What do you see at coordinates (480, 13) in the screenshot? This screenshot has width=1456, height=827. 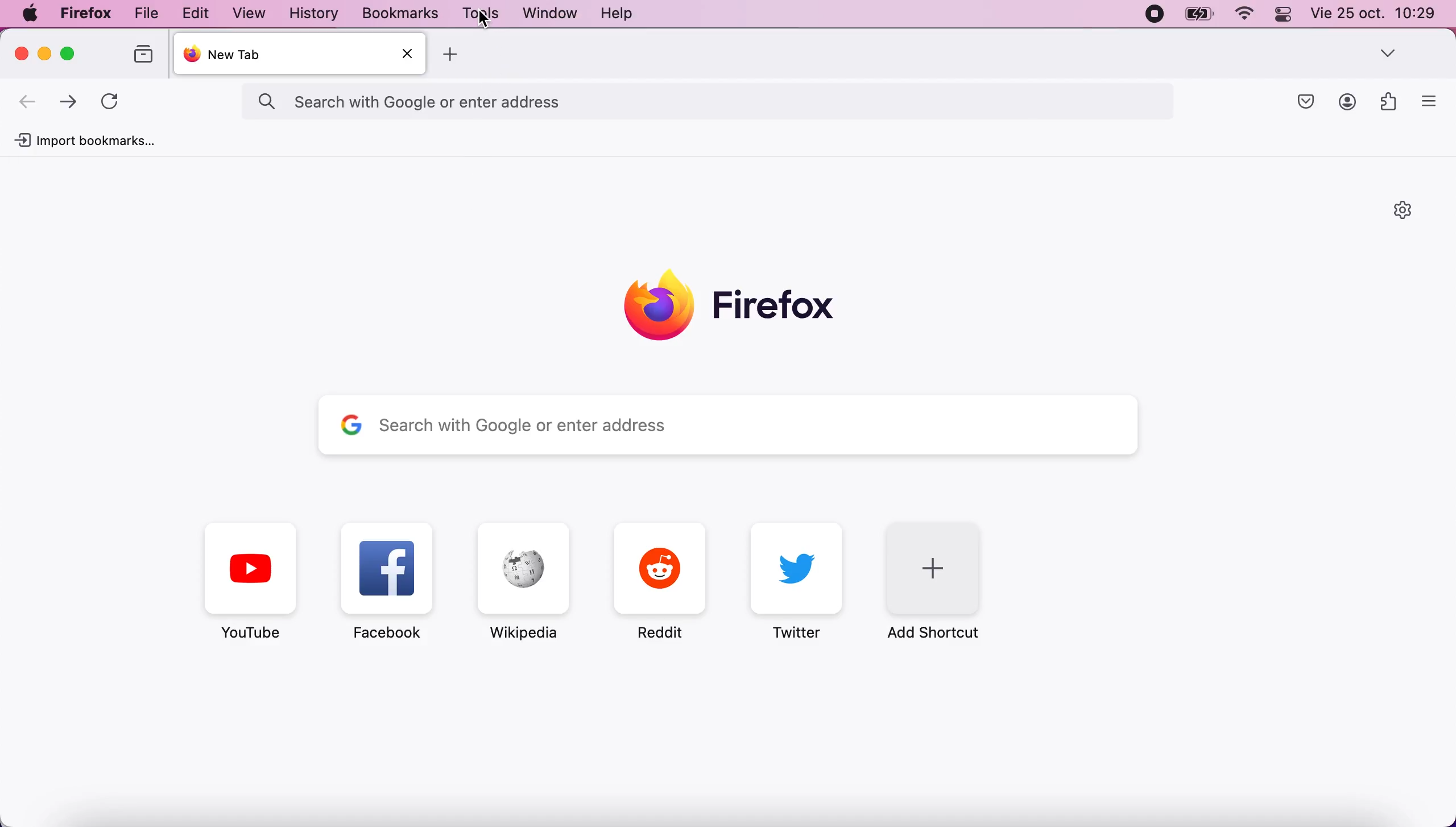 I see `Tools` at bounding box center [480, 13].